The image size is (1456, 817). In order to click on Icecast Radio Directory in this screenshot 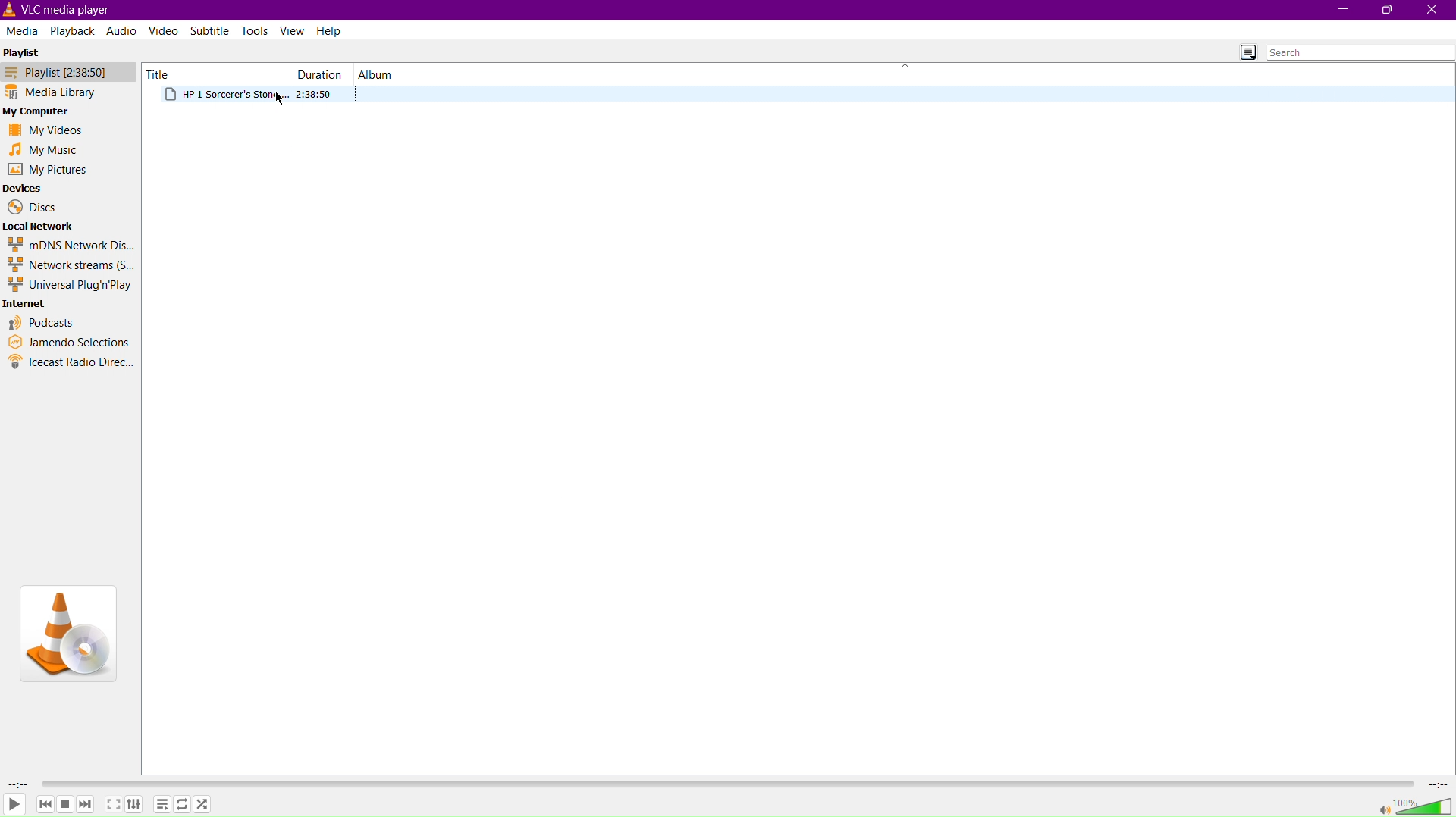, I will do `click(71, 362)`.